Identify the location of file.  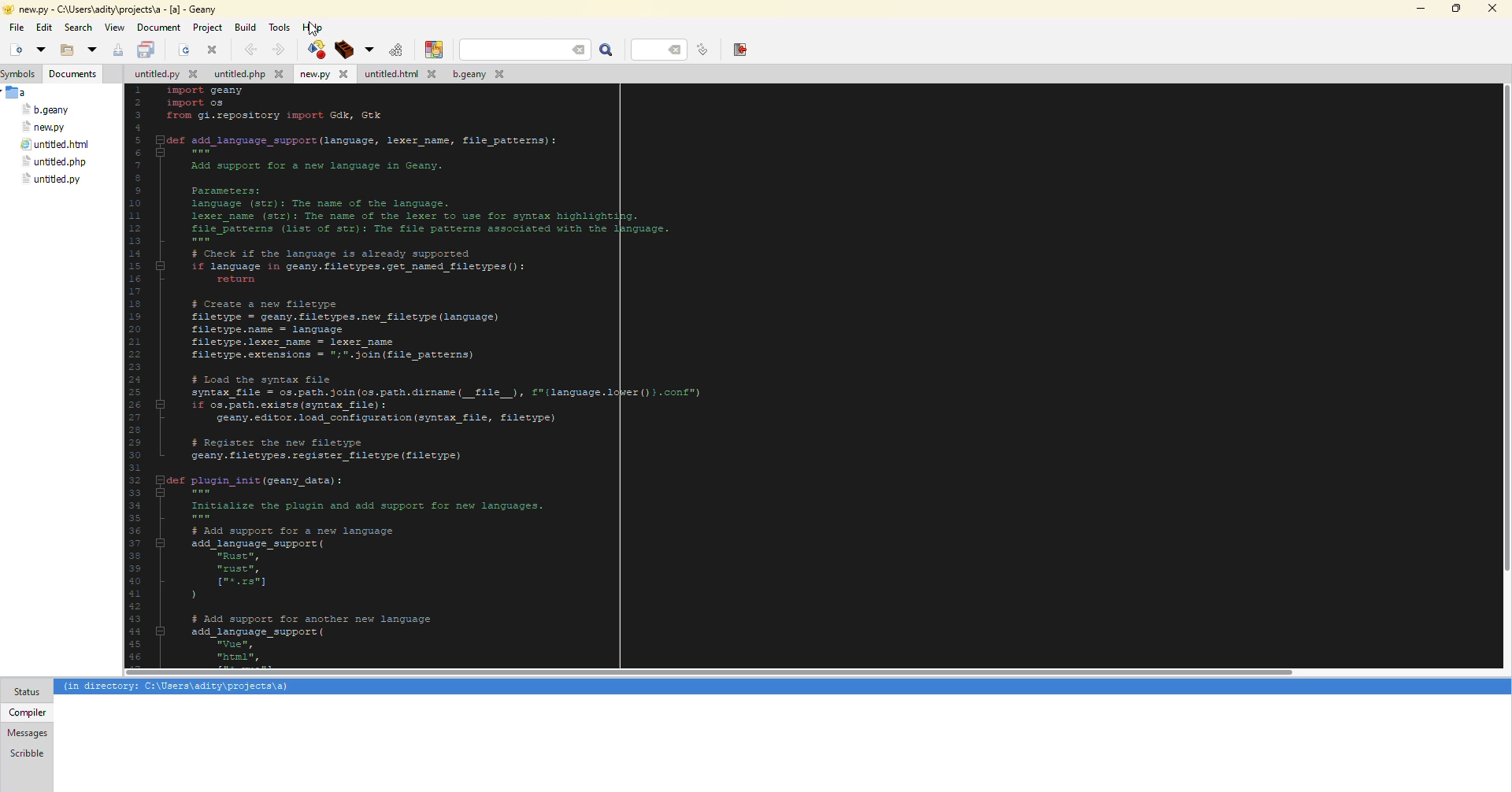
(398, 75).